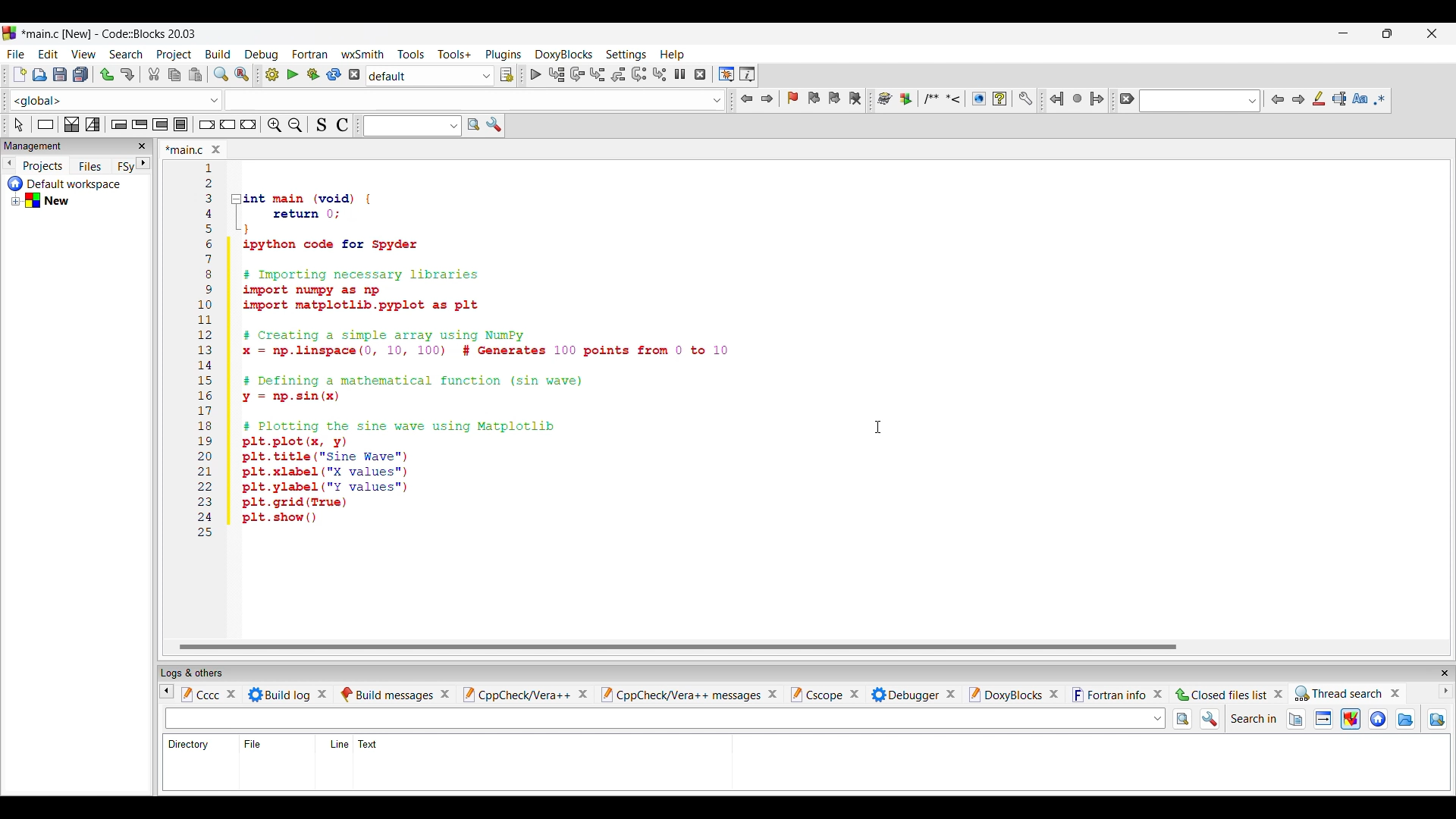 This screenshot has height=819, width=1456. Describe the element at coordinates (1354, 723) in the screenshot. I see `highlight` at that location.